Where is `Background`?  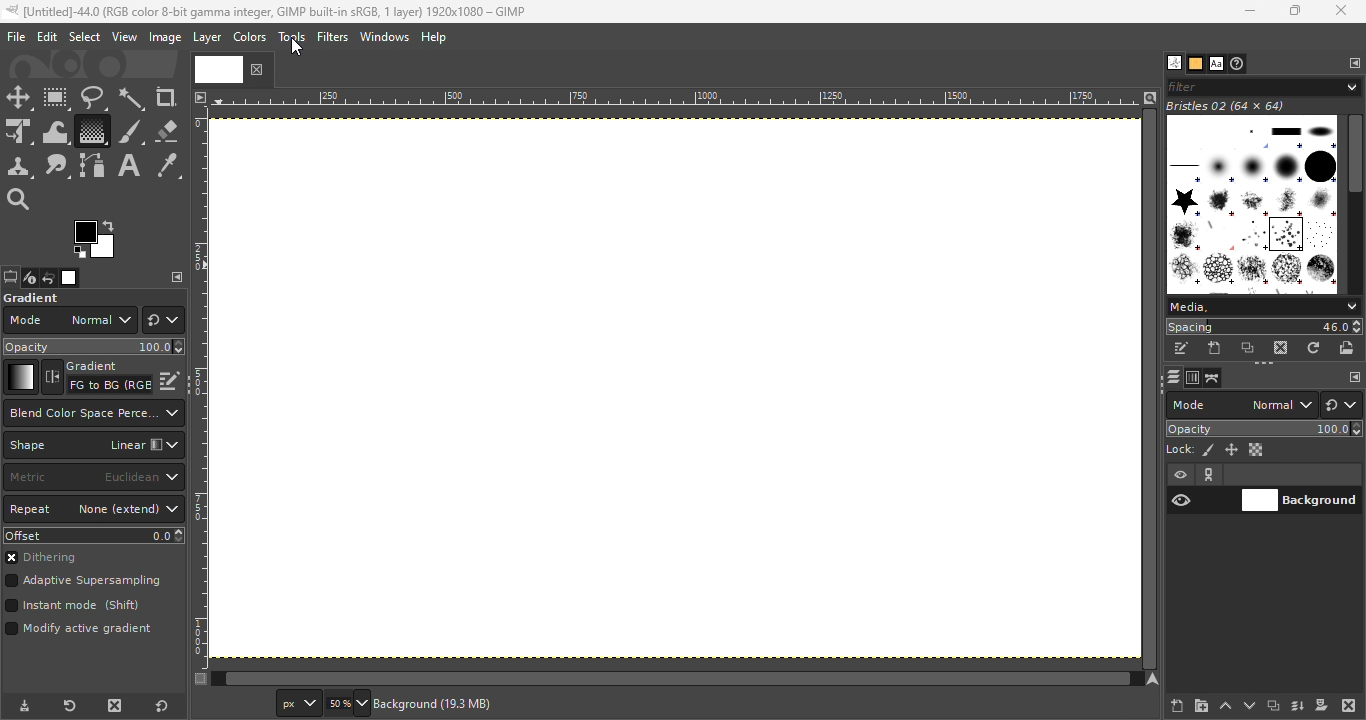 Background is located at coordinates (452, 705).